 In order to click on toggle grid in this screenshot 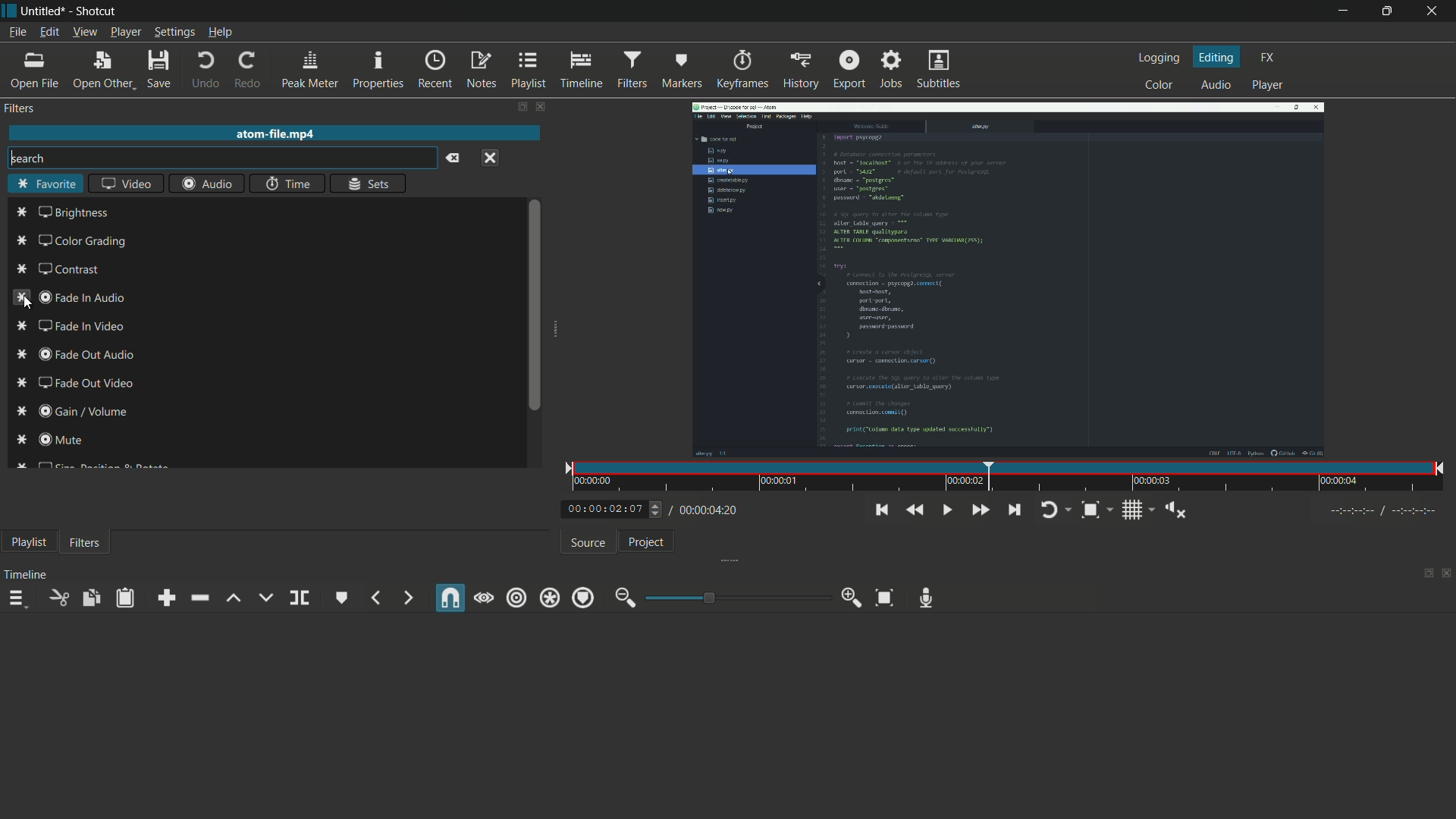, I will do `click(1138, 510)`.